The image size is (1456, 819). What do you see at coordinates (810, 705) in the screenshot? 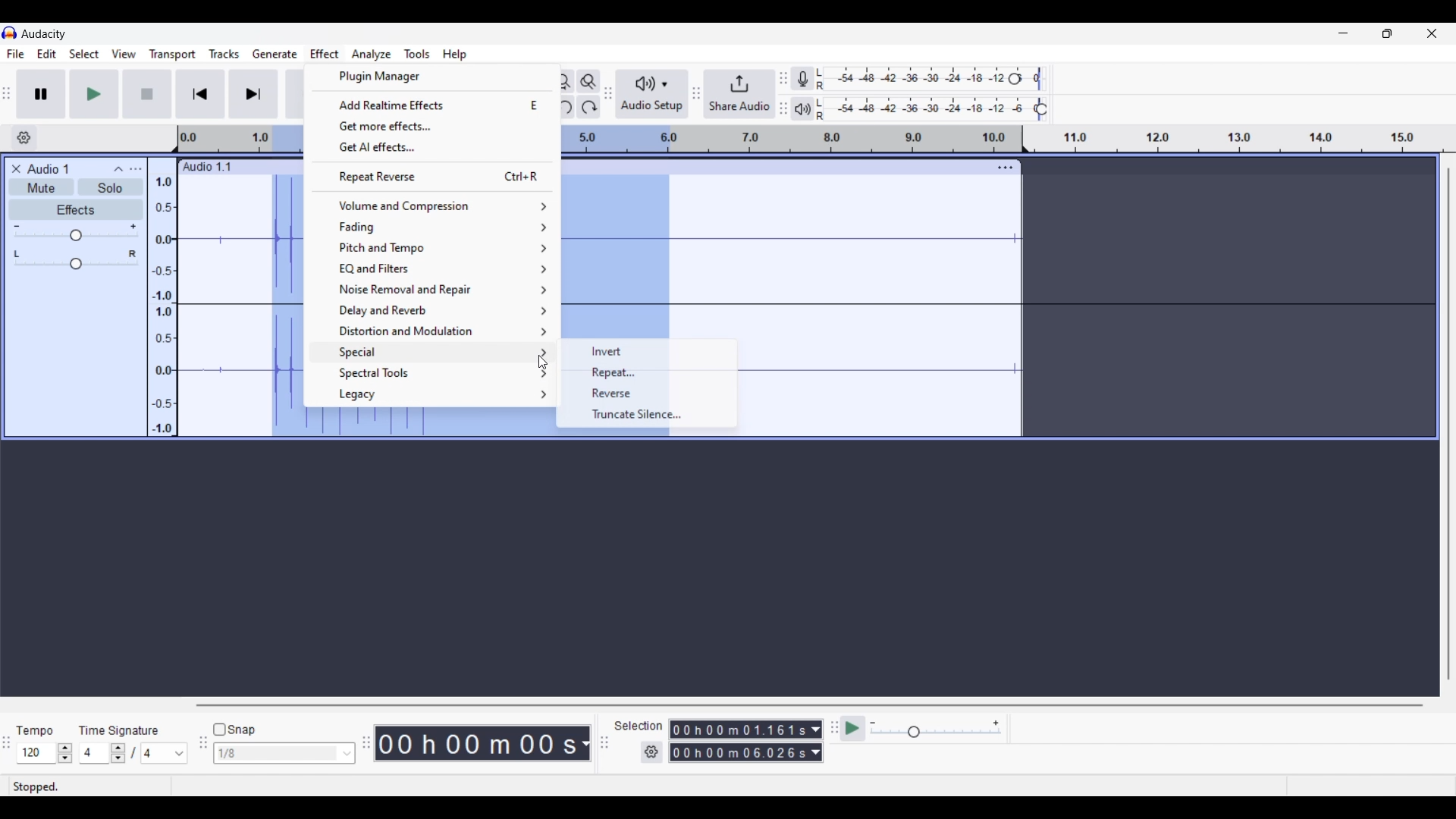
I see `Horizontal slide bar` at bounding box center [810, 705].